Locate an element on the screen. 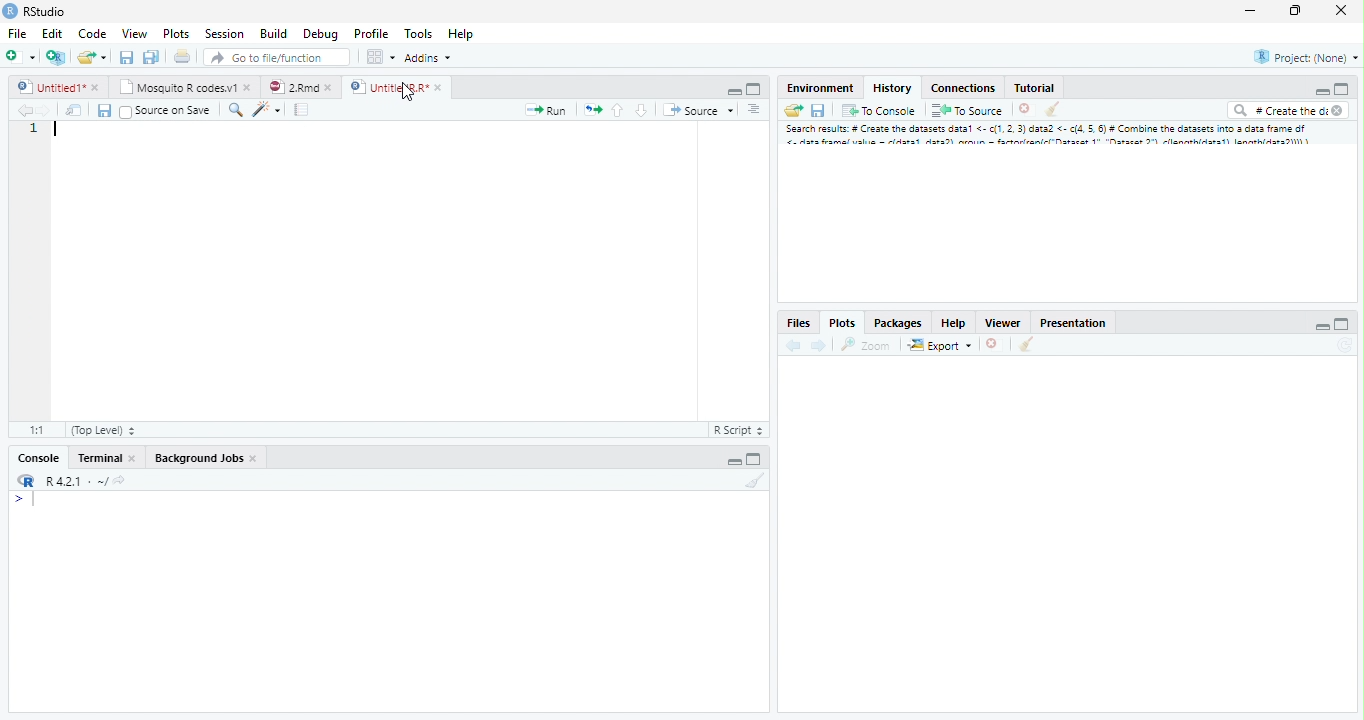 The height and width of the screenshot is (720, 1364). Clear console is located at coordinates (1055, 111).